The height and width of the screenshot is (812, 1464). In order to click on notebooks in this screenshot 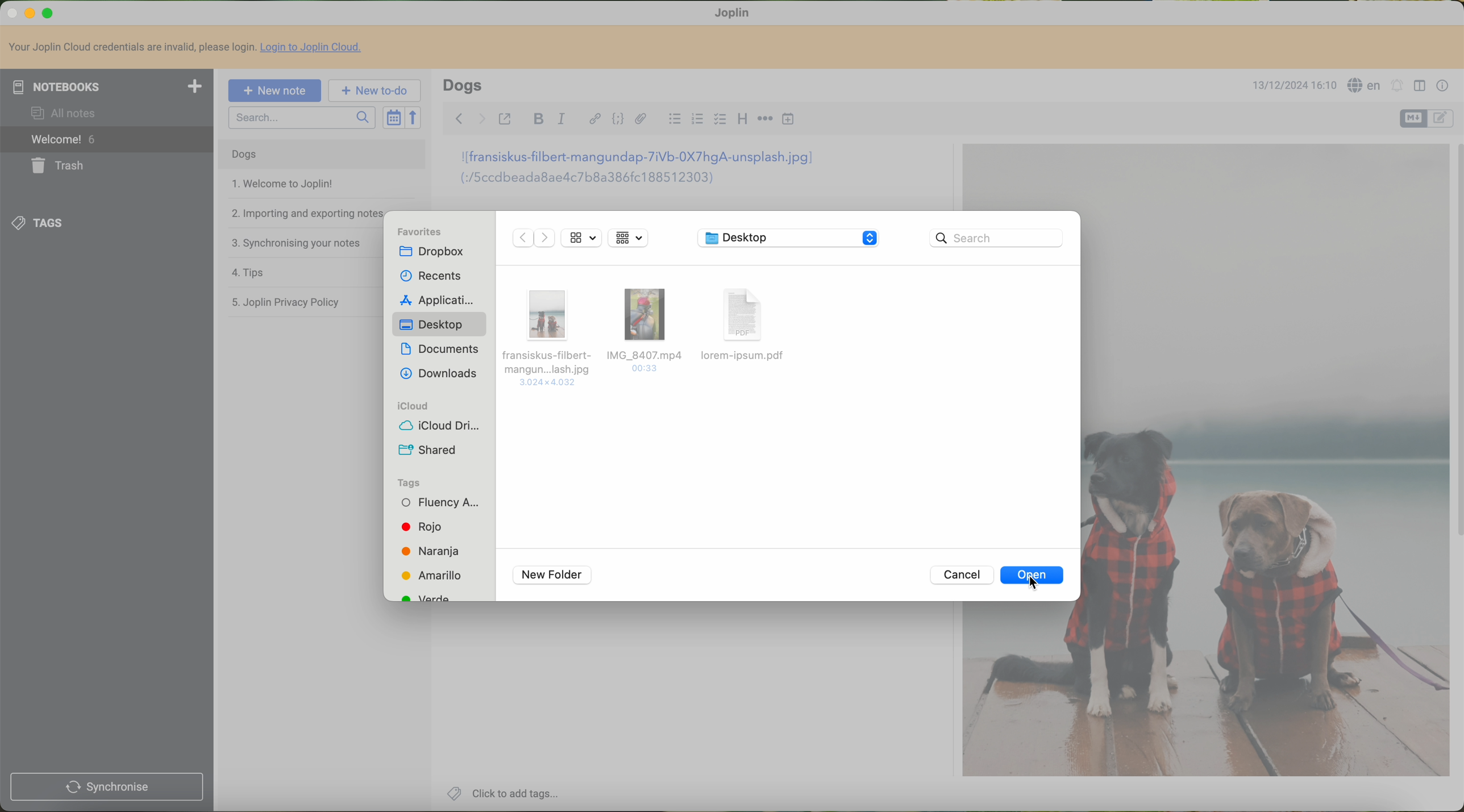, I will do `click(107, 86)`.